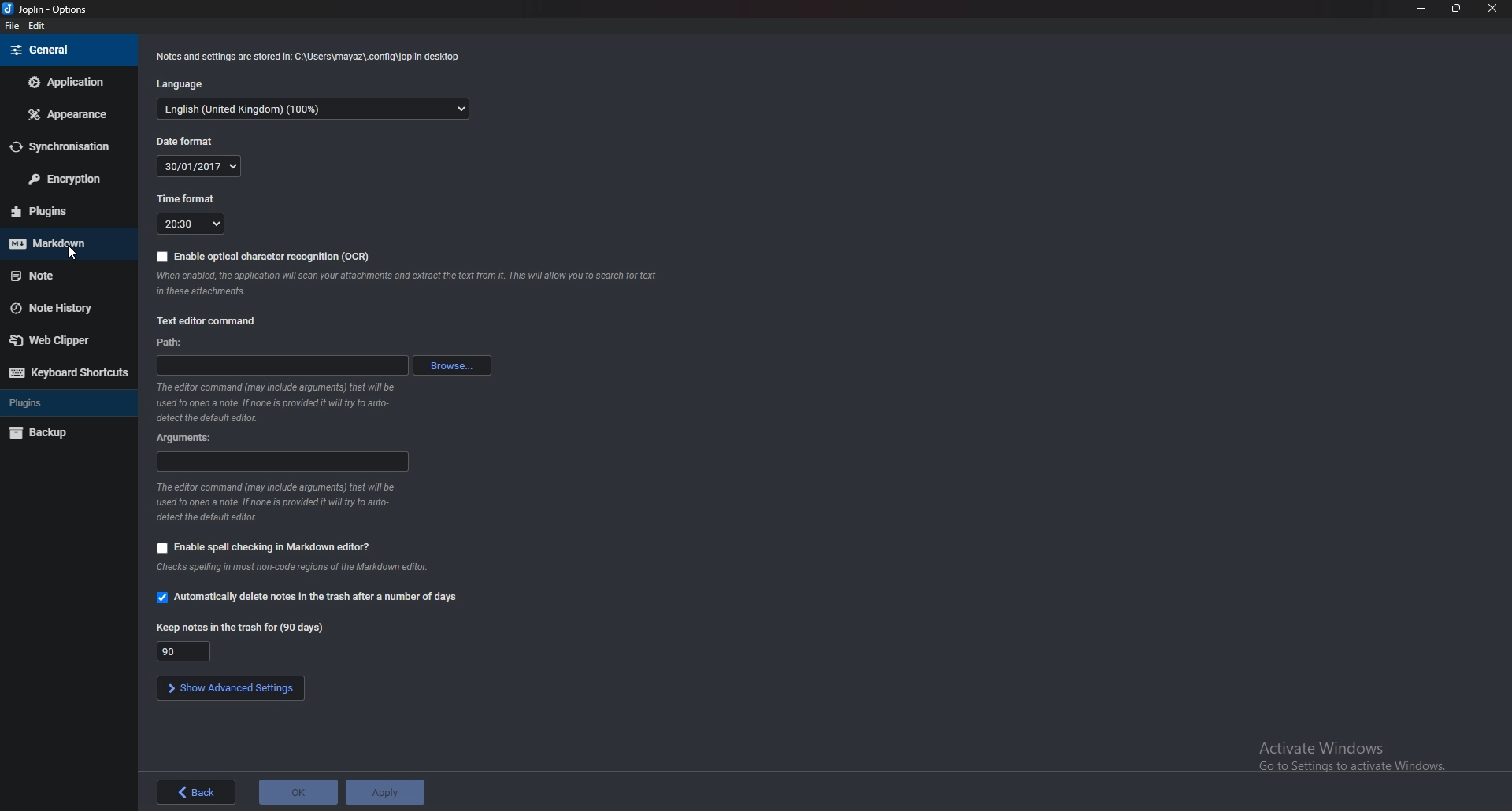 The width and height of the screenshot is (1512, 811). Describe the element at coordinates (59, 211) in the screenshot. I see `Plugins` at that location.